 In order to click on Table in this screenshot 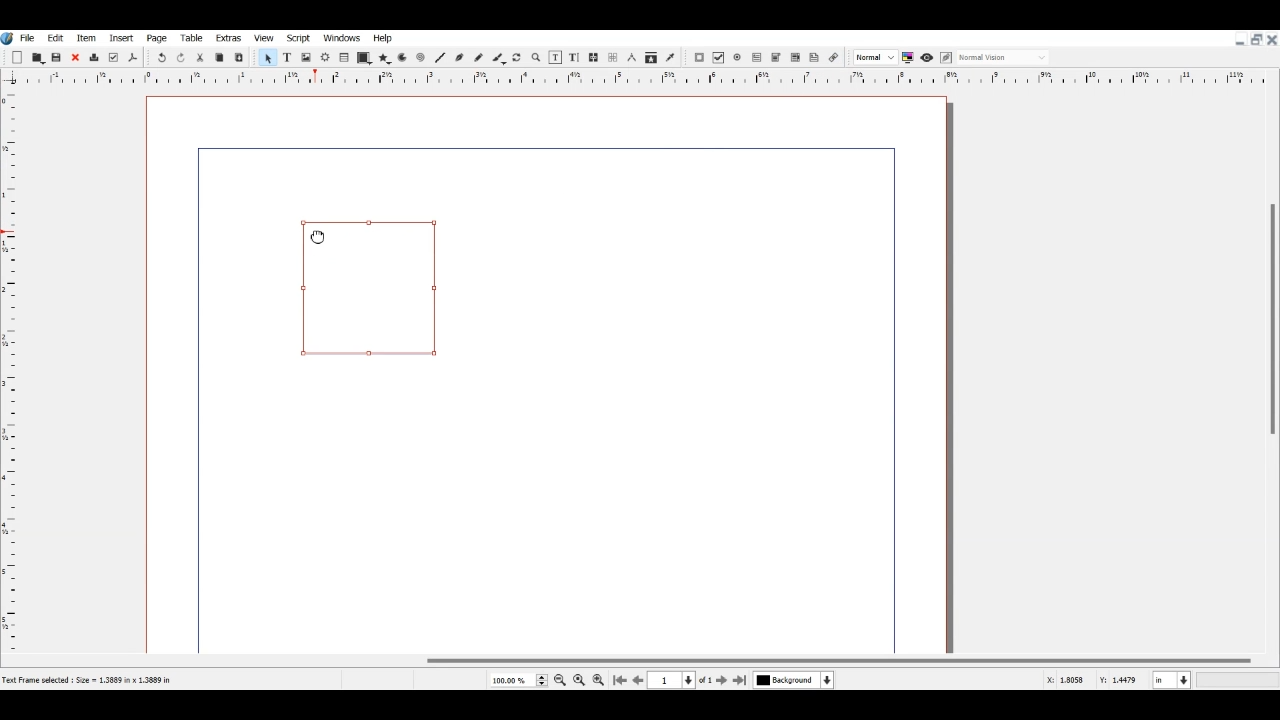, I will do `click(345, 58)`.